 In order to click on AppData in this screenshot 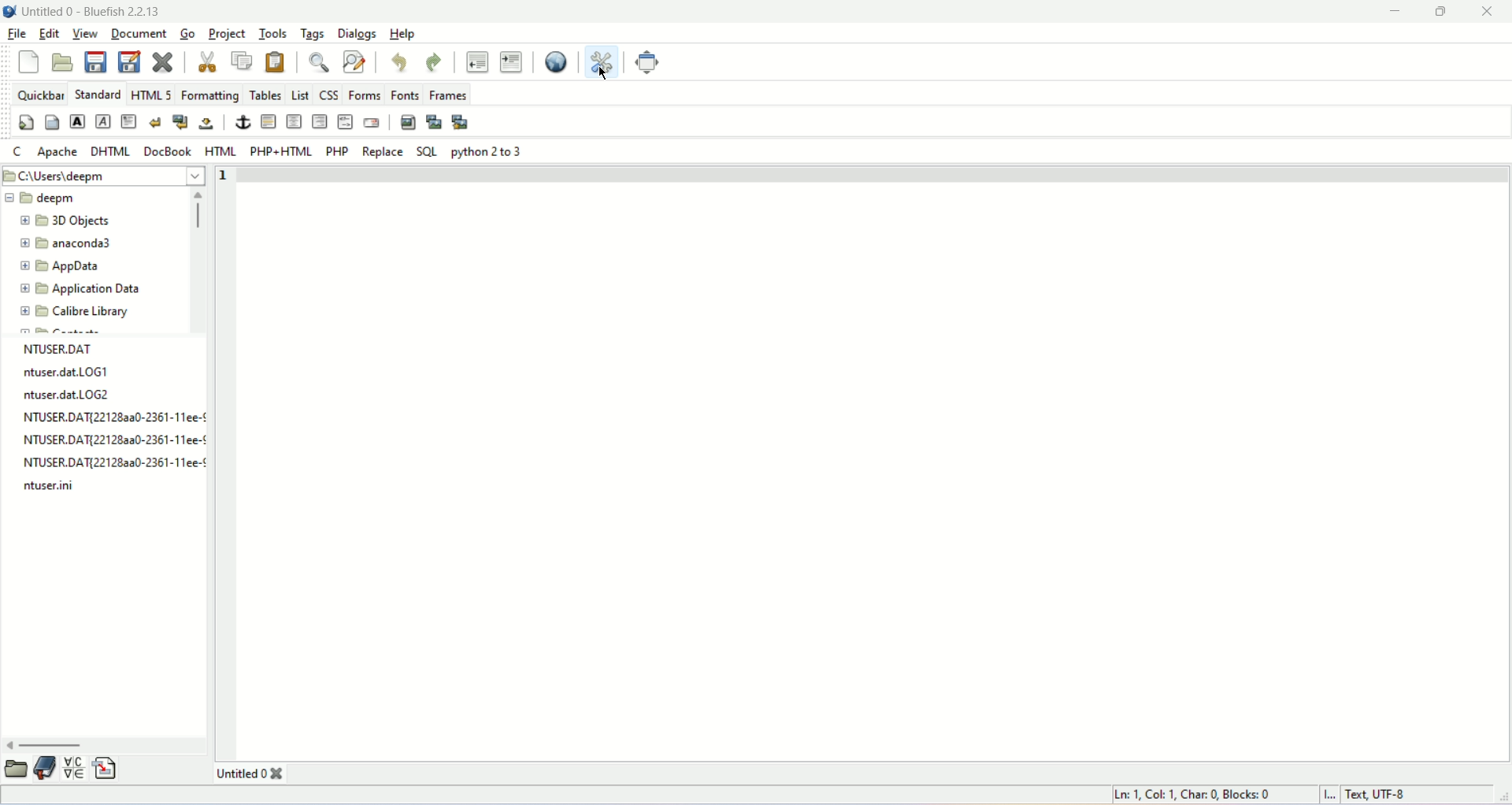, I will do `click(83, 268)`.